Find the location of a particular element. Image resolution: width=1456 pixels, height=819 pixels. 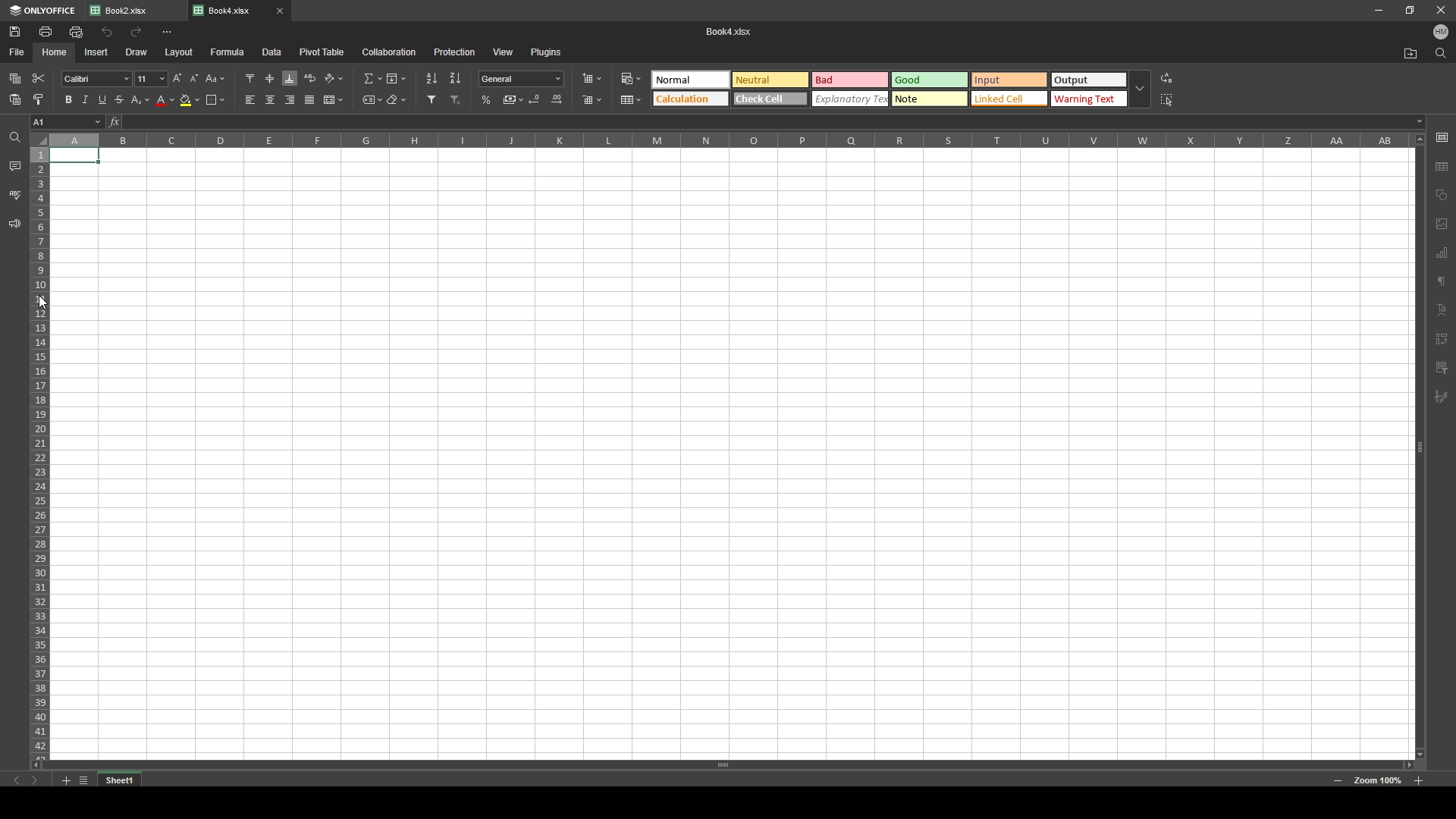

vertical scroll bar is located at coordinates (1420, 445).